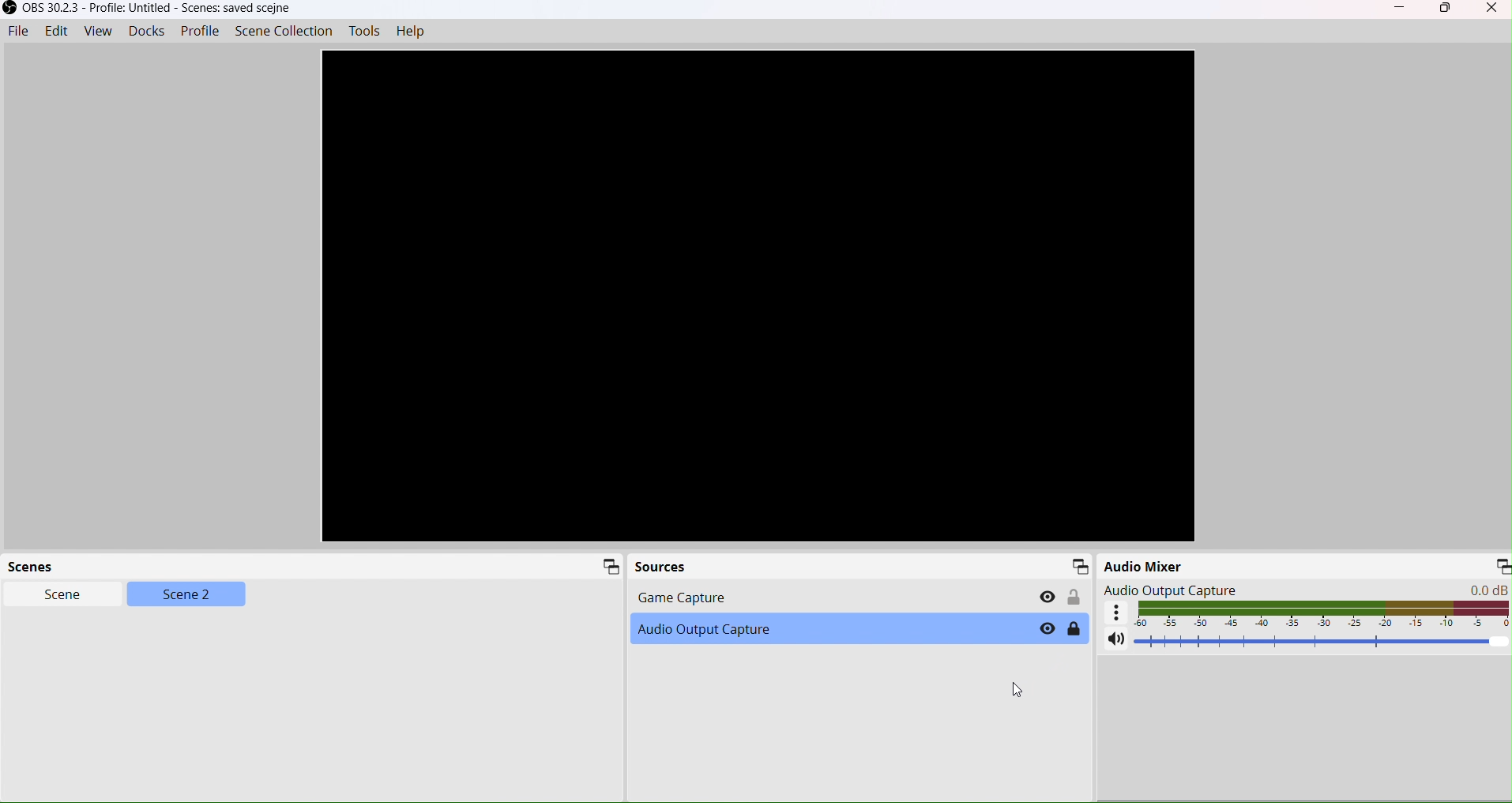 The height and width of the screenshot is (803, 1512). I want to click on Preview screen, so click(758, 295).